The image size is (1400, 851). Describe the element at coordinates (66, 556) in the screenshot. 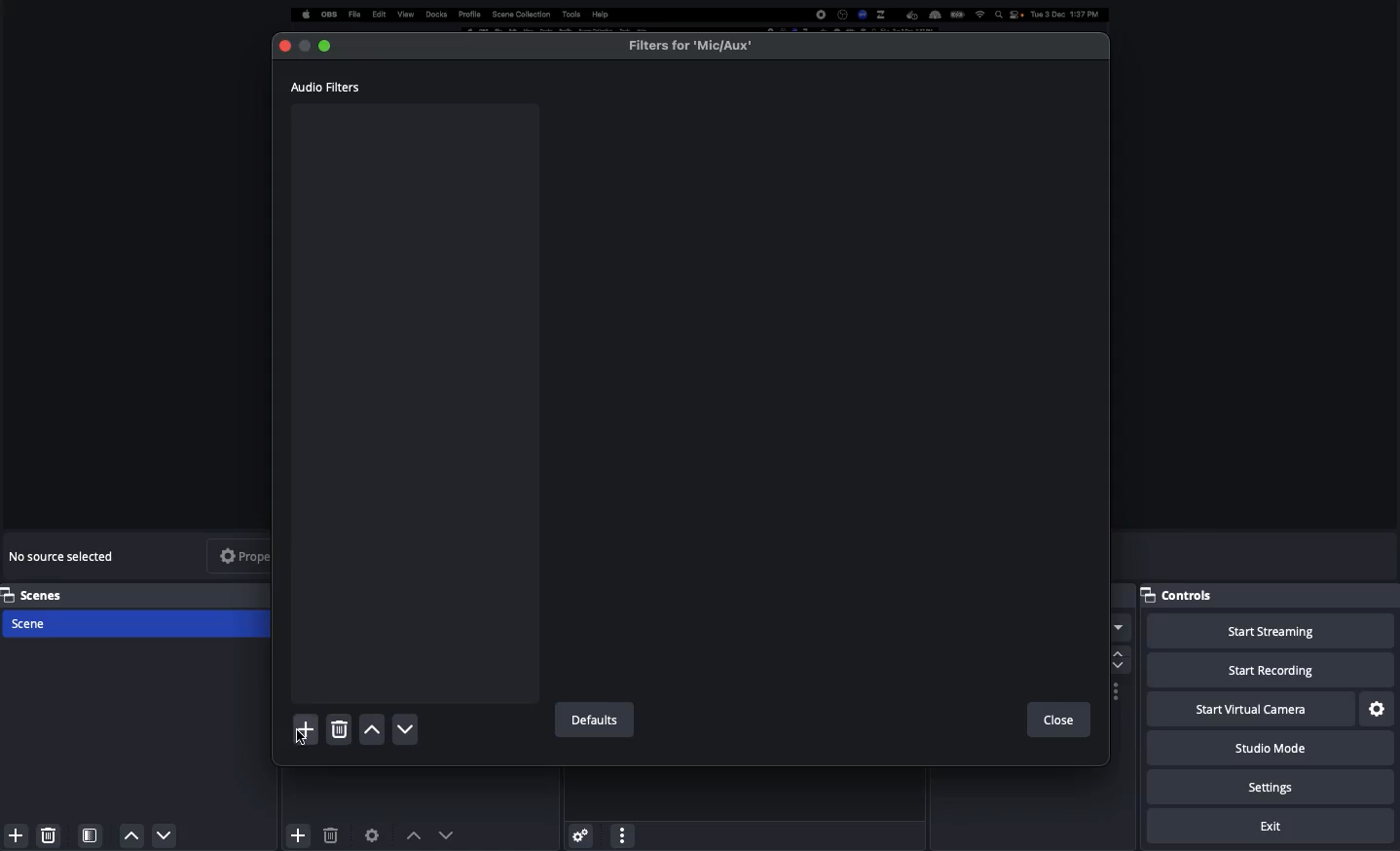

I see `No source selected` at that location.